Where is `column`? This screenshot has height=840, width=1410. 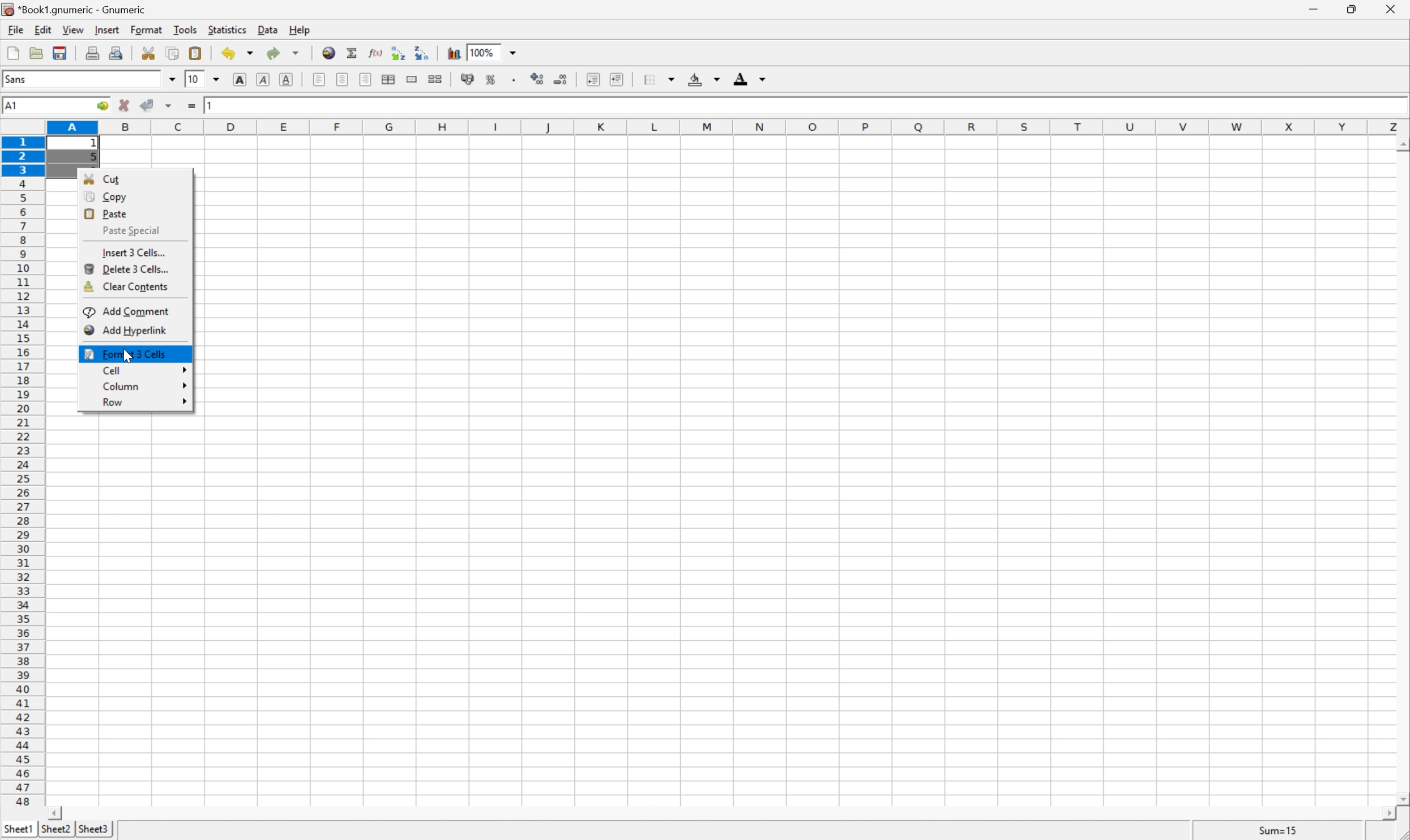 column is located at coordinates (144, 386).